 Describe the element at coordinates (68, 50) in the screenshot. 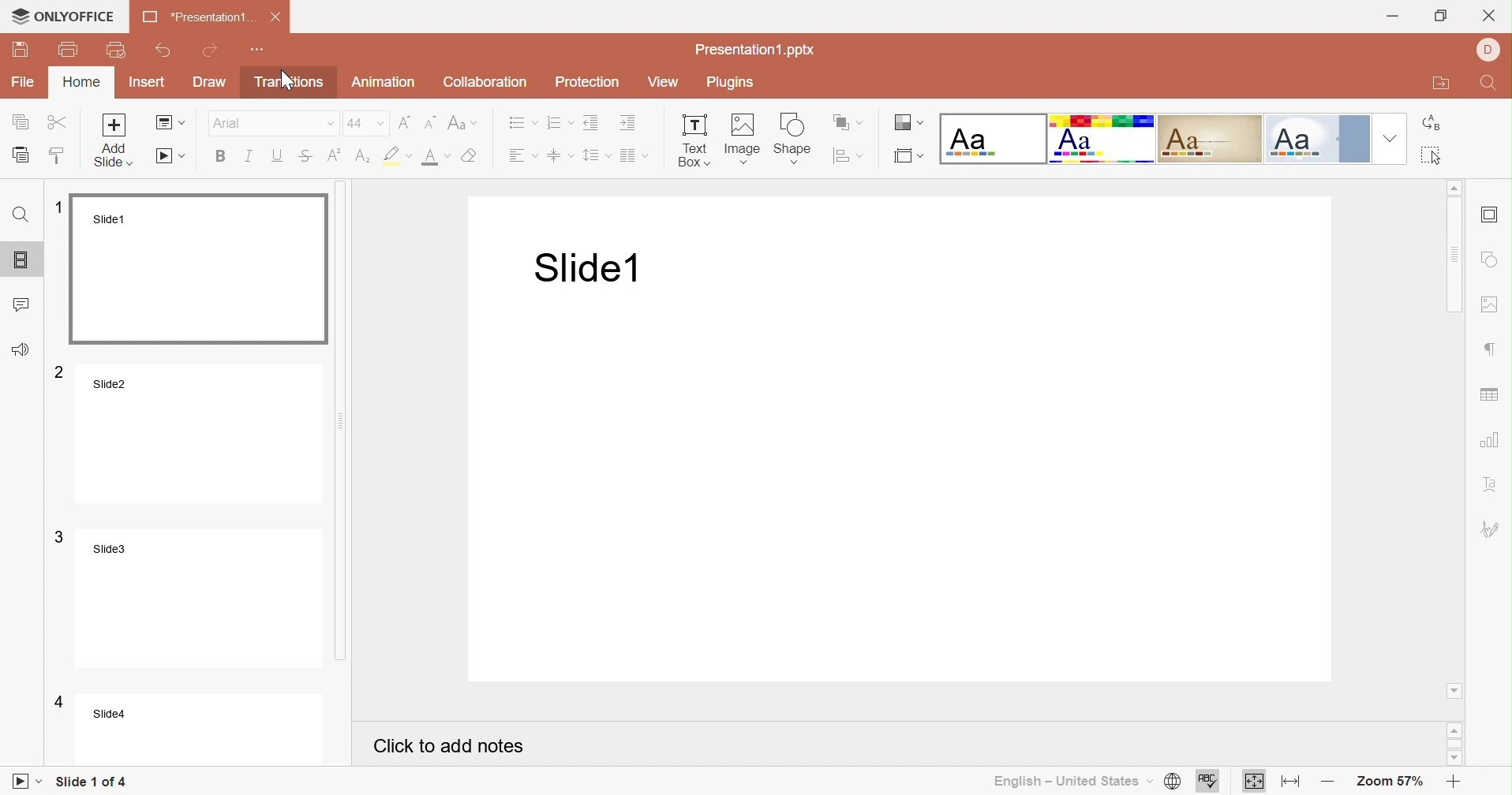

I see `Print file` at that location.